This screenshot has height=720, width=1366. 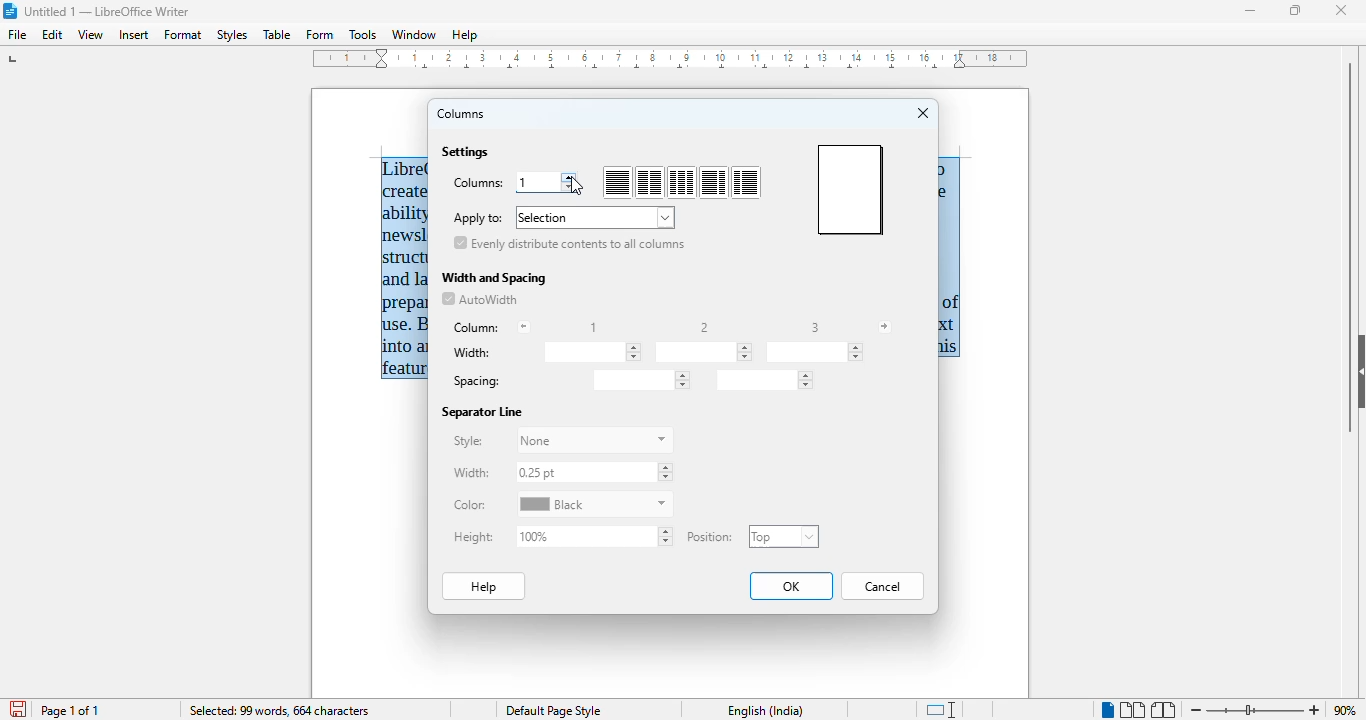 What do you see at coordinates (133, 35) in the screenshot?
I see `insert` at bounding box center [133, 35].